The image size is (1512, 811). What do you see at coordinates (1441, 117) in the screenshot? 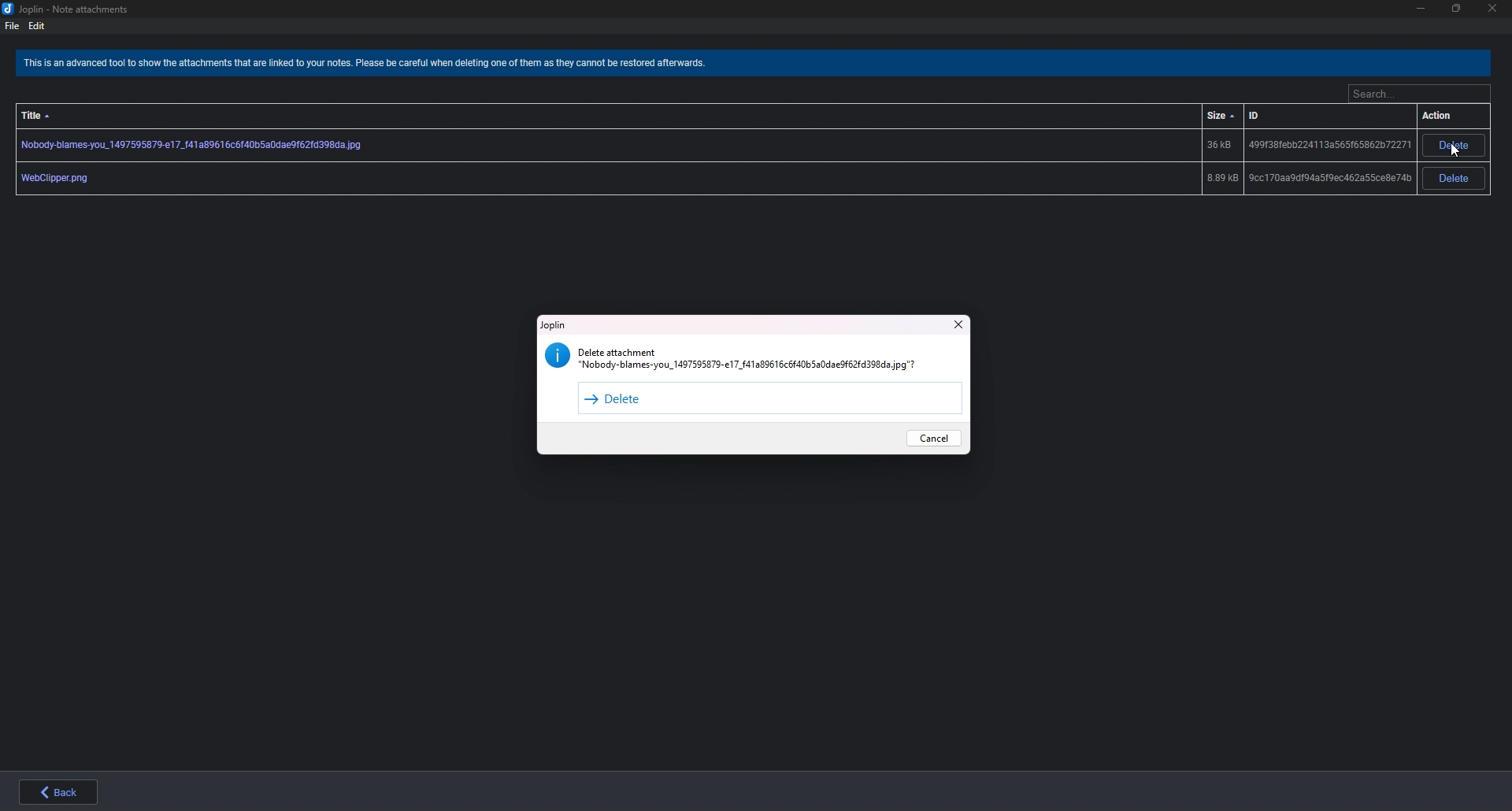
I see `action` at bounding box center [1441, 117].